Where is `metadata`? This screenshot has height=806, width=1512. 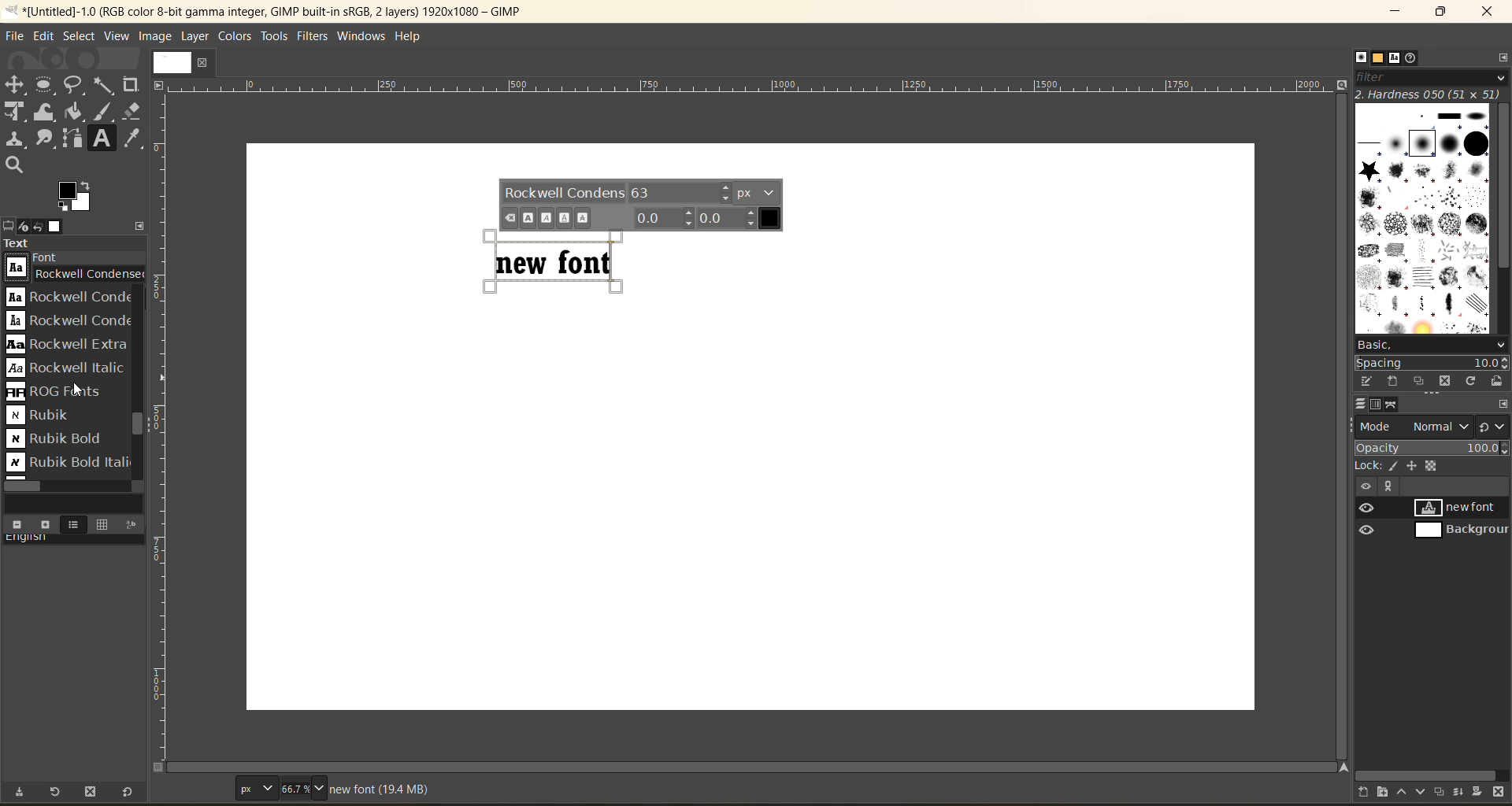
metadata is located at coordinates (384, 788).